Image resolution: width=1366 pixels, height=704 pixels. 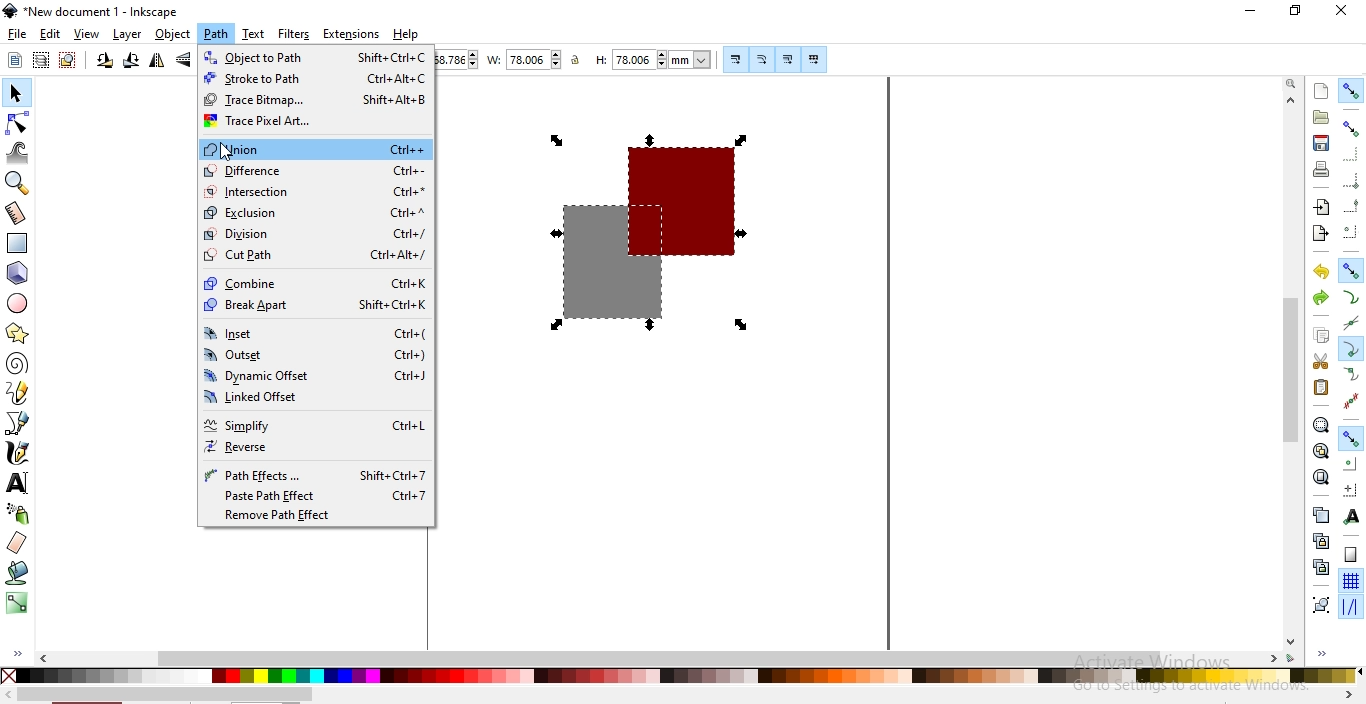 What do you see at coordinates (316, 356) in the screenshot?
I see `outset` at bounding box center [316, 356].